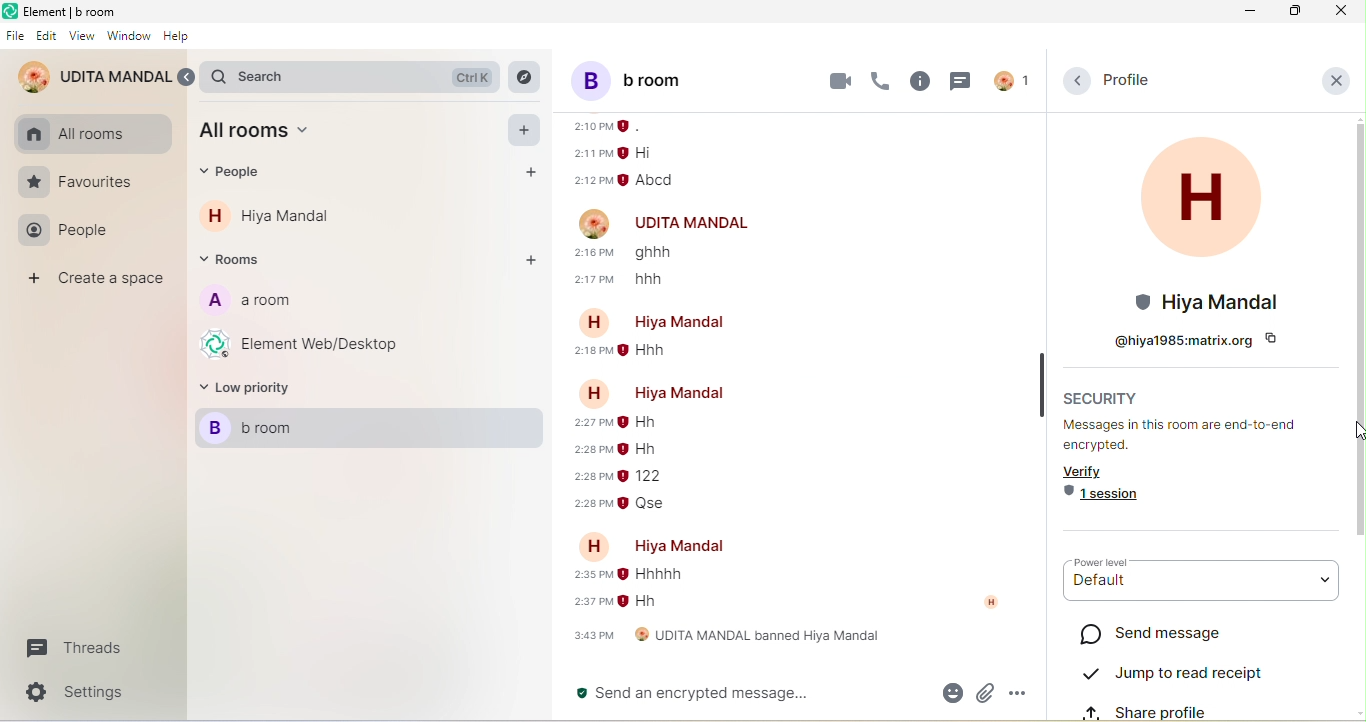  I want to click on cursor movement, so click(1355, 432).